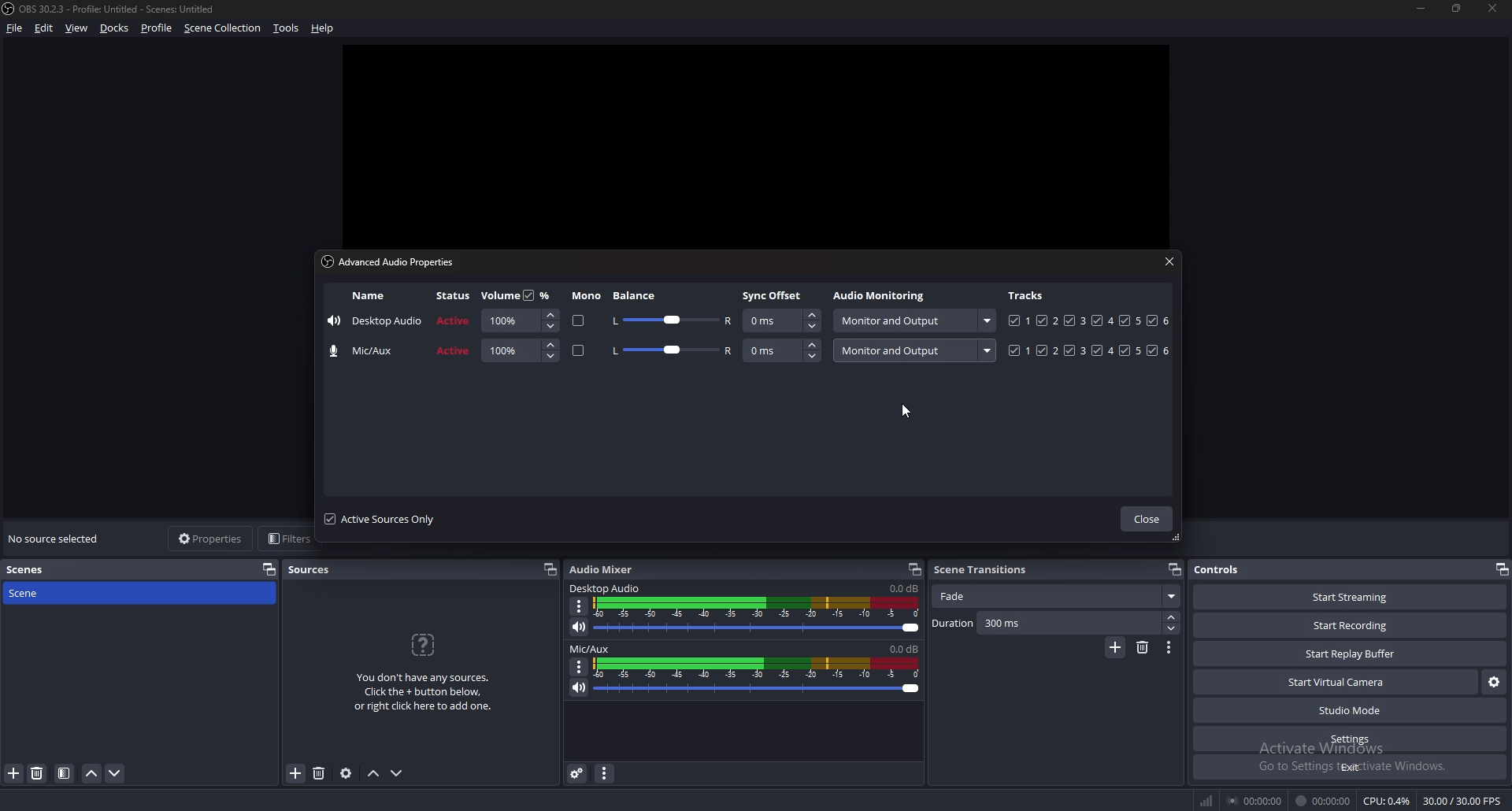  I want to click on options, so click(582, 606).